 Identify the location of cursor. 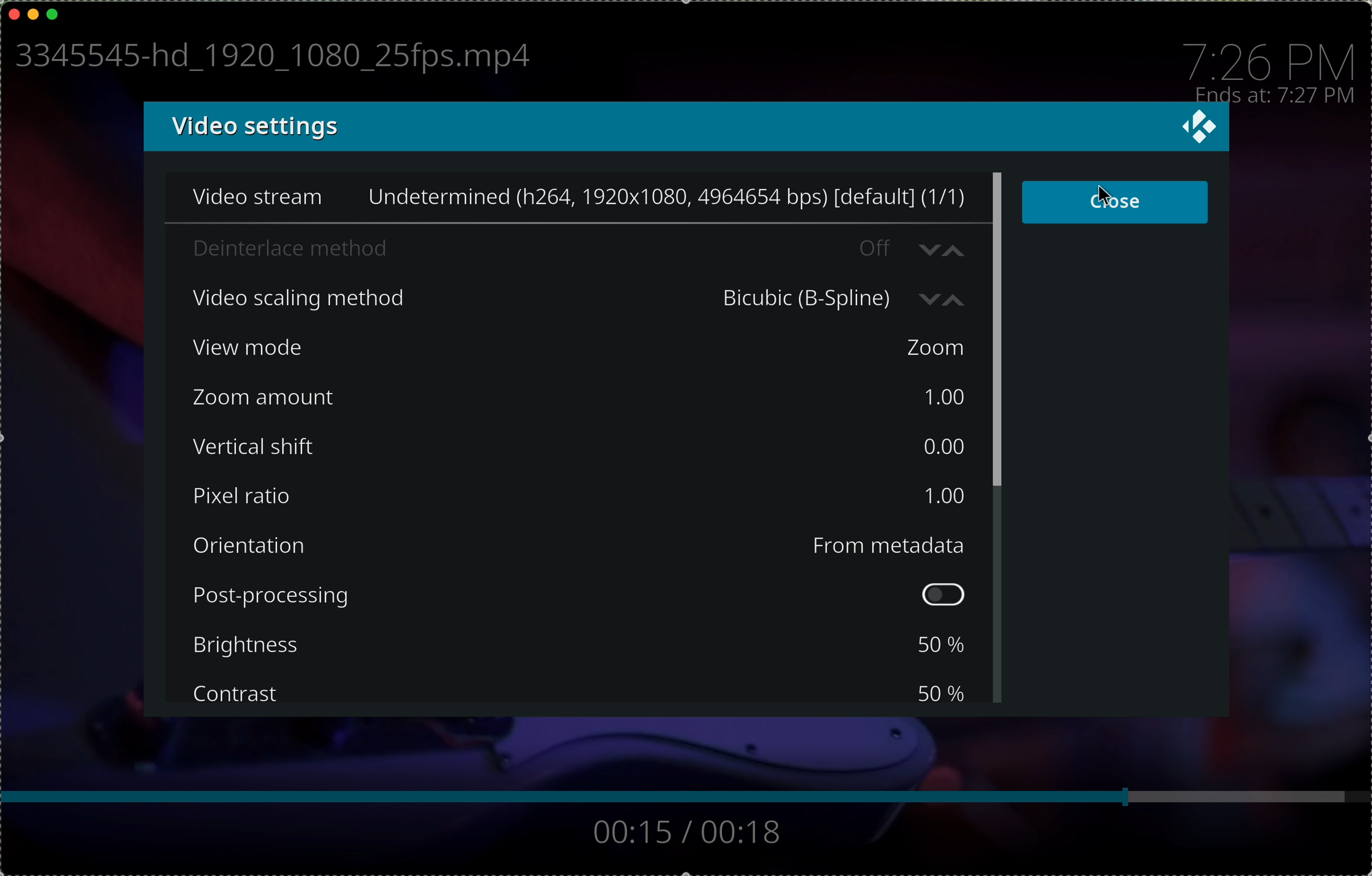
(1100, 197).